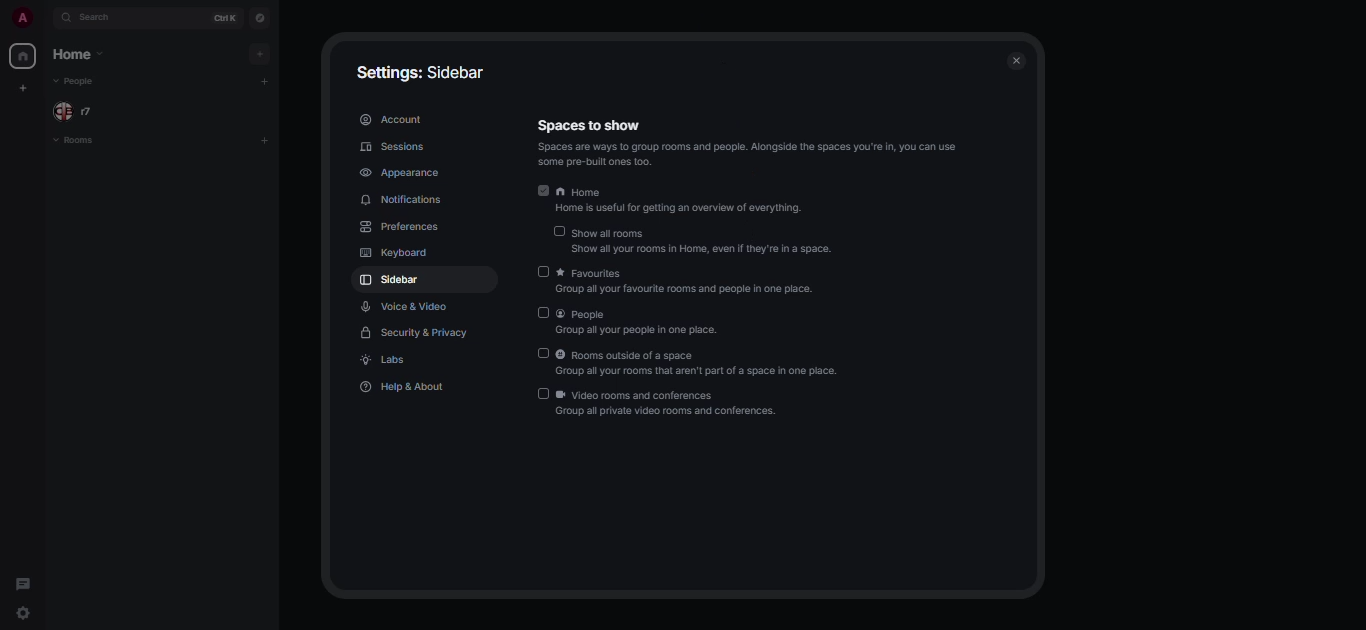 The height and width of the screenshot is (630, 1366). I want to click on disabled, so click(558, 232).